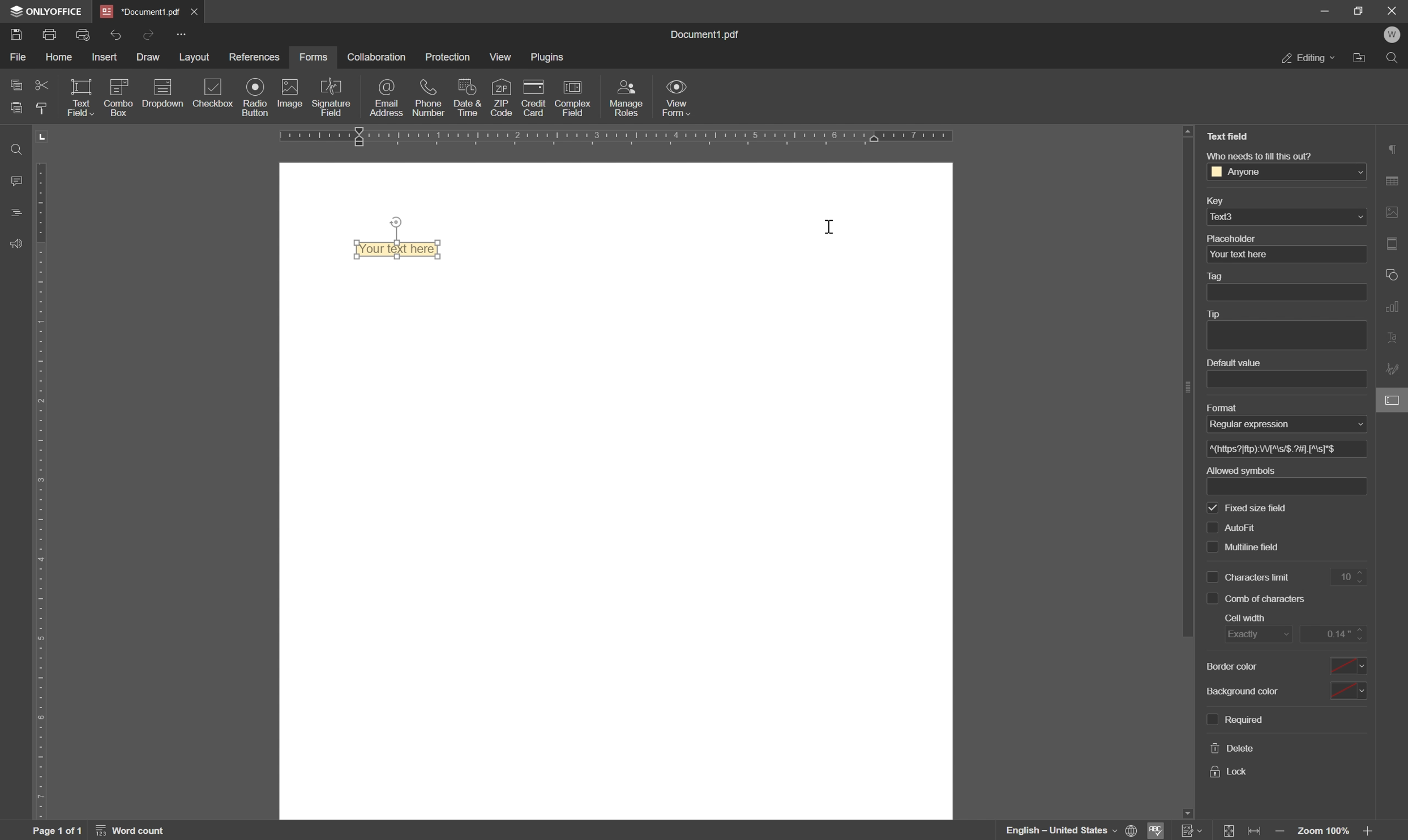 The height and width of the screenshot is (840, 1408). I want to click on signature field, so click(333, 97).